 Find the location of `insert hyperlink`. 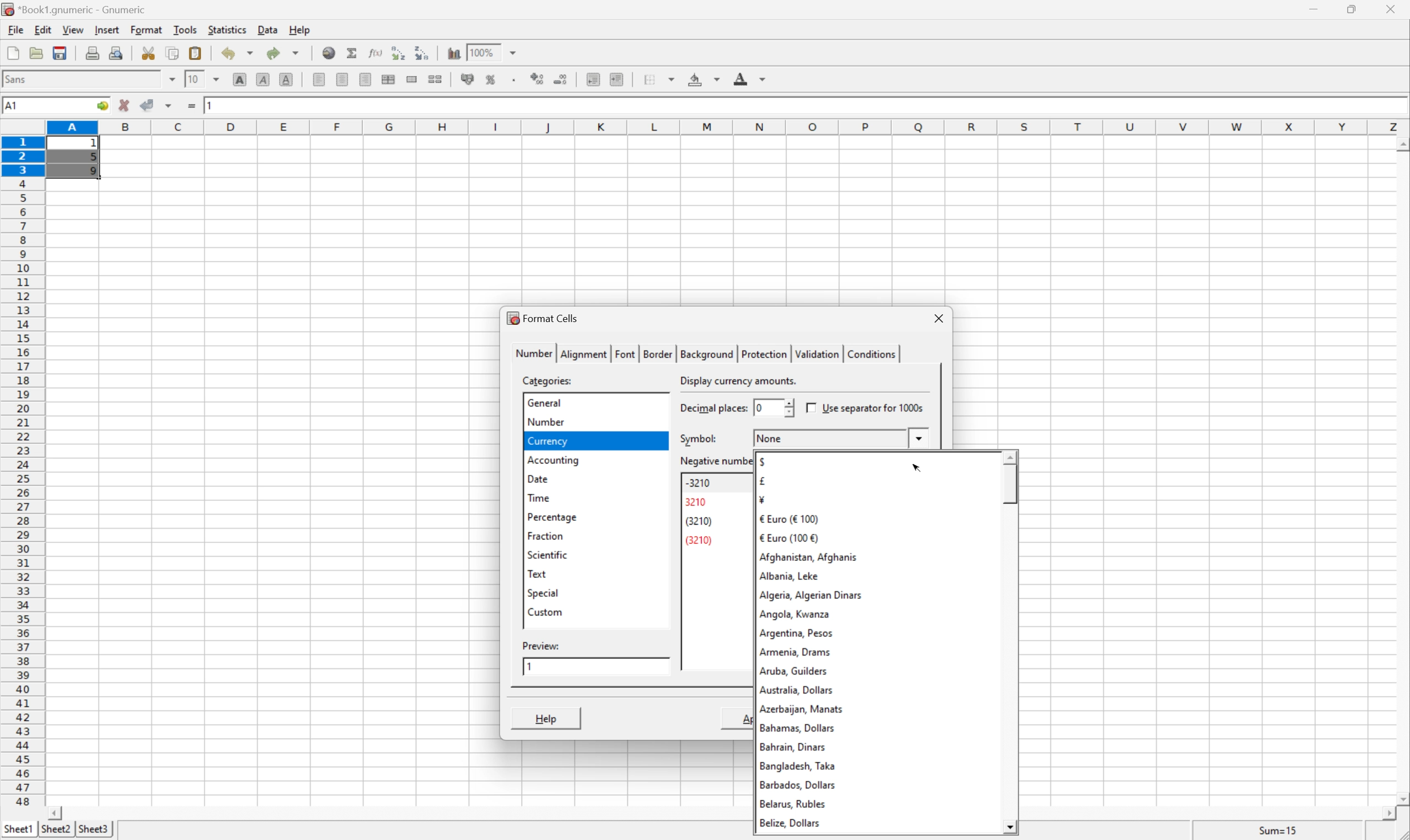

insert hyperlink is located at coordinates (330, 52).